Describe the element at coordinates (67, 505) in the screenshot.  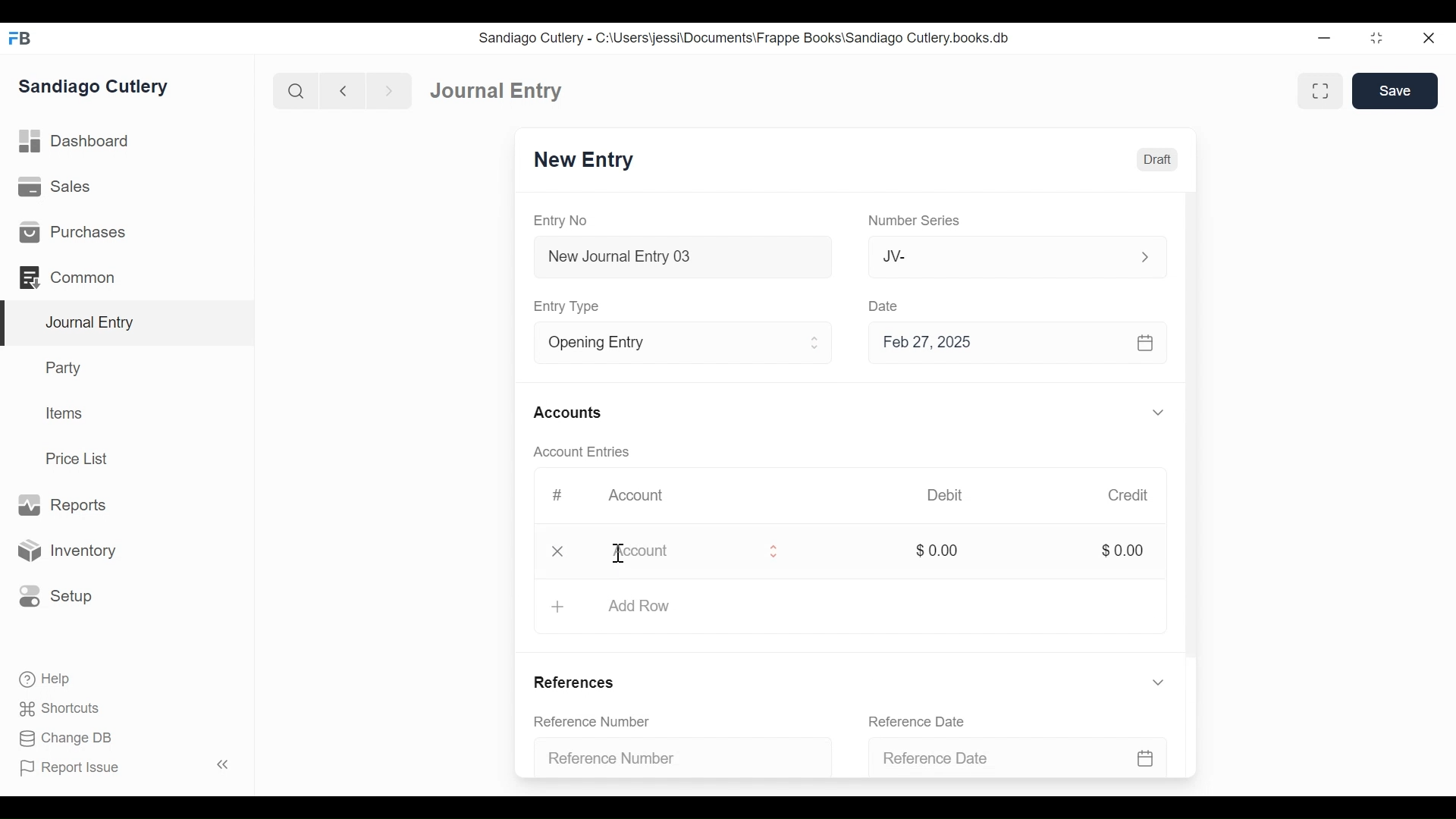
I see `Reports` at that location.